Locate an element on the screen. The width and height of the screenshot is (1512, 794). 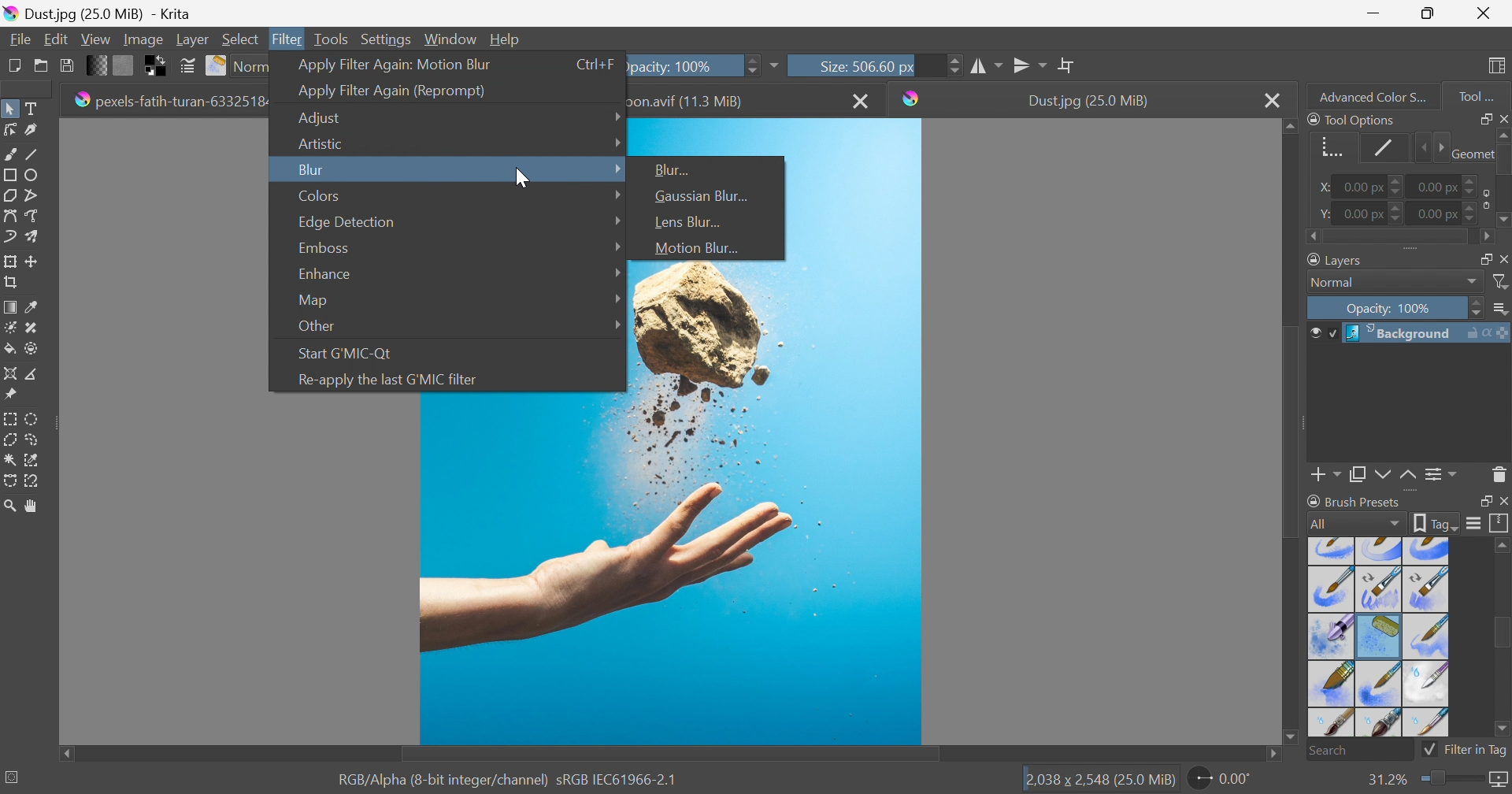
Calligraphy is located at coordinates (36, 131).